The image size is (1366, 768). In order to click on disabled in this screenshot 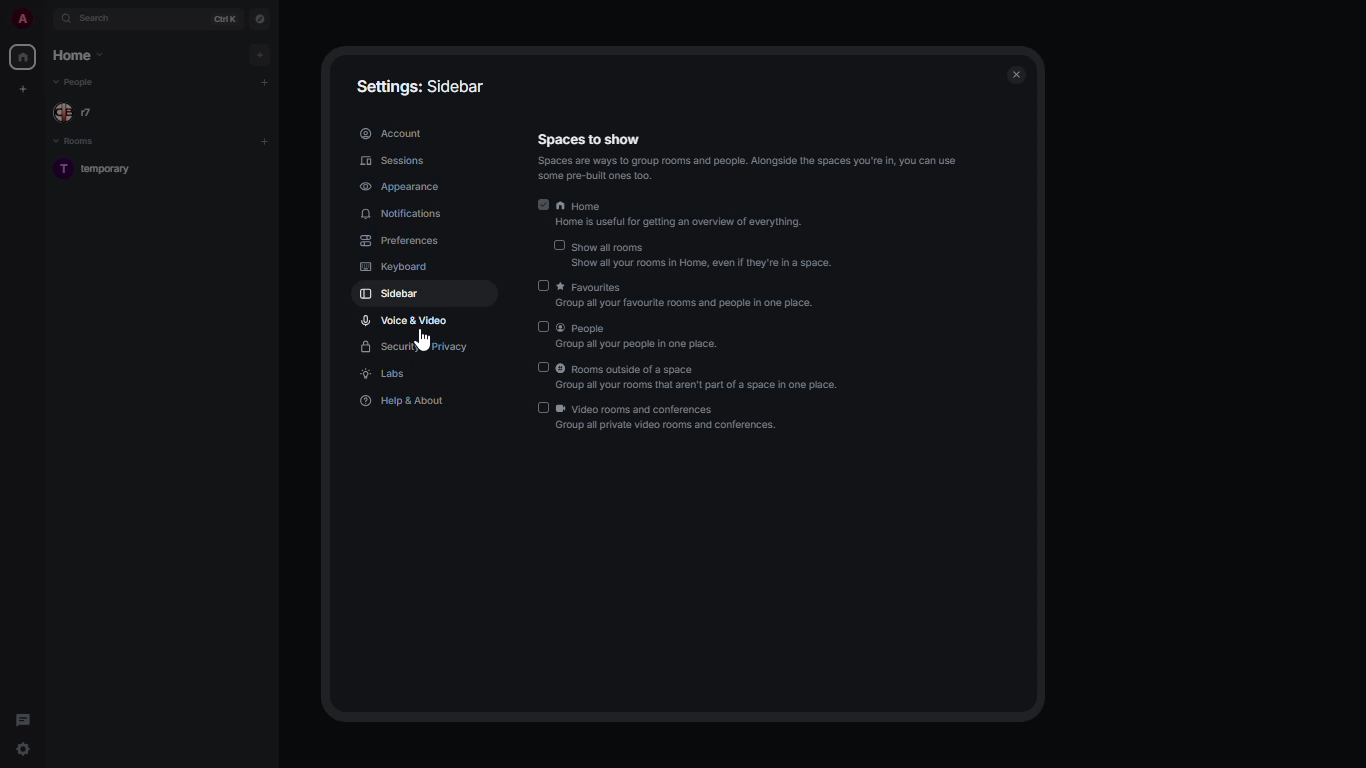, I will do `click(560, 247)`.